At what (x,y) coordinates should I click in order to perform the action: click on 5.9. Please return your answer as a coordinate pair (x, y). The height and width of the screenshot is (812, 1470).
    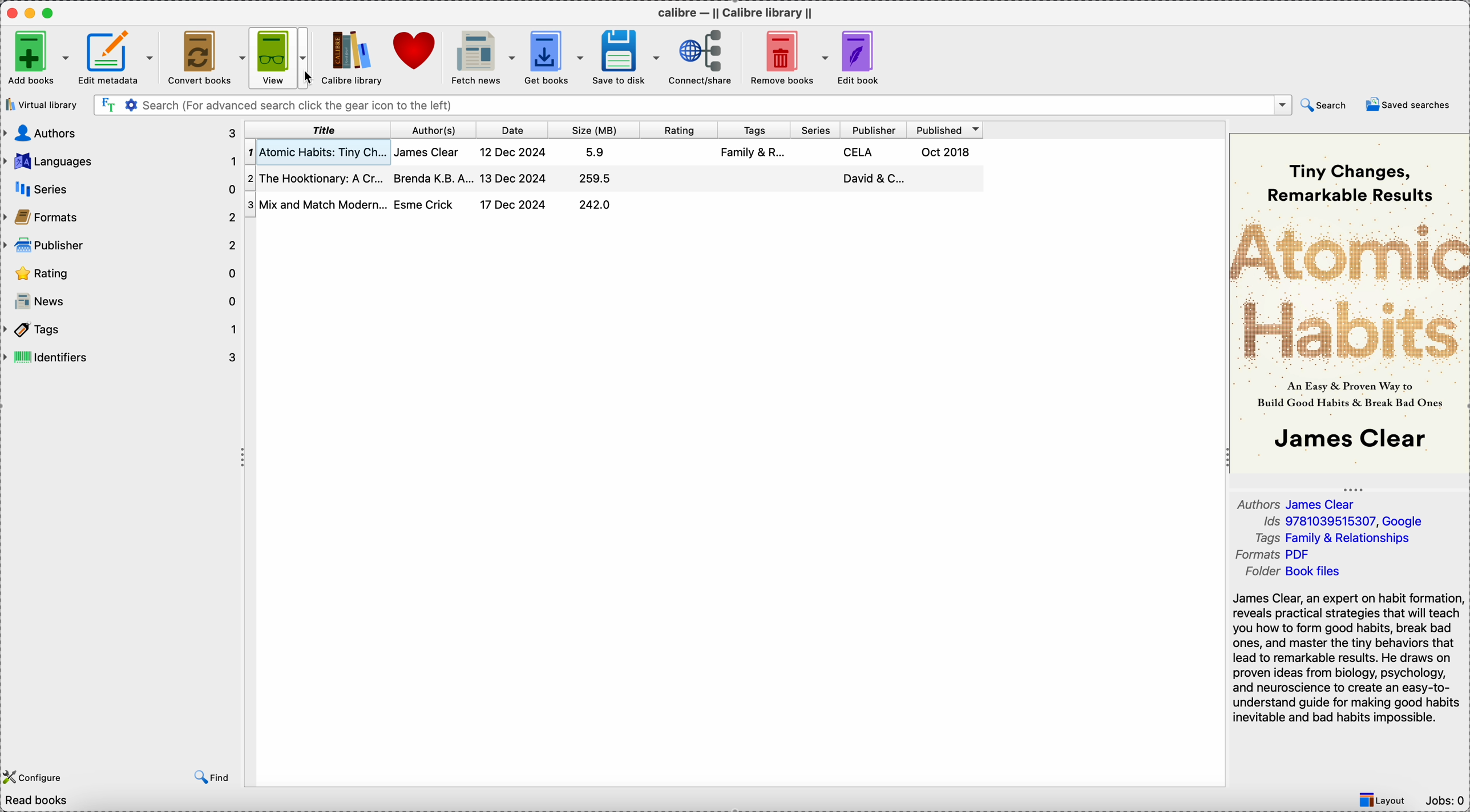
    Looking at the image, I should click on (597, 152).